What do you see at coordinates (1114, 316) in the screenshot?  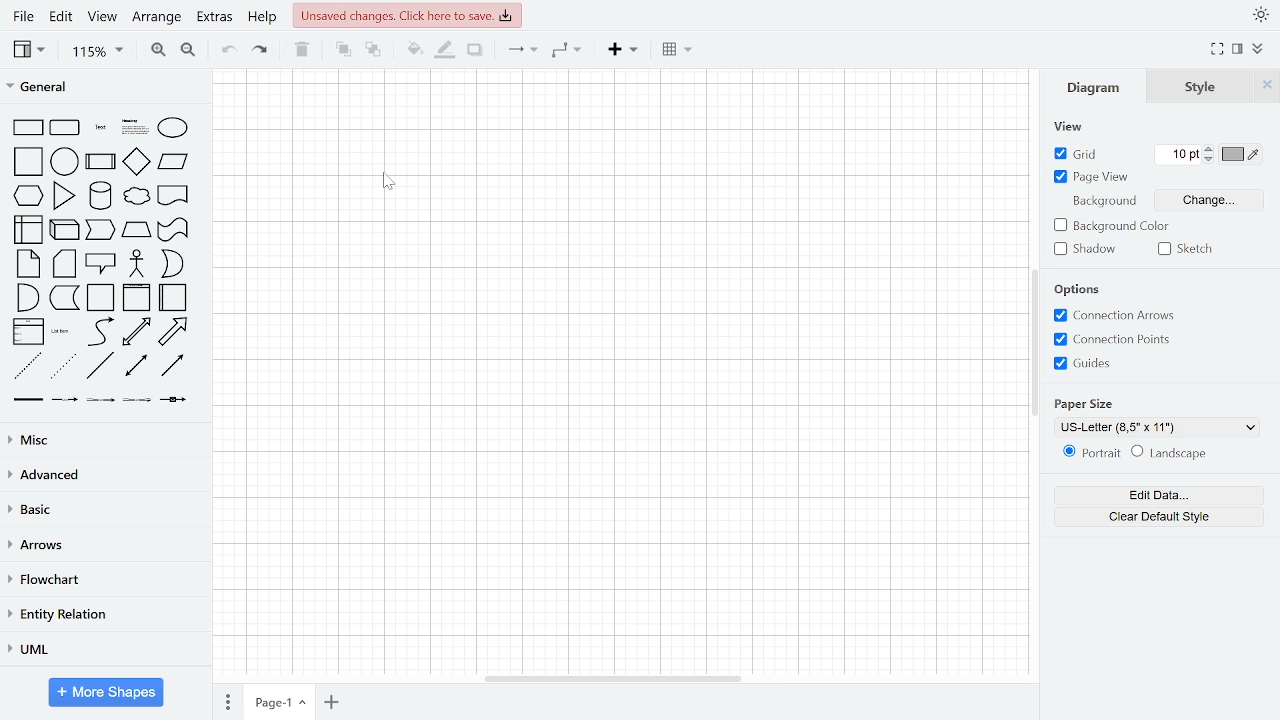 I see `connection arrows` at bounding box center [1114, 316].